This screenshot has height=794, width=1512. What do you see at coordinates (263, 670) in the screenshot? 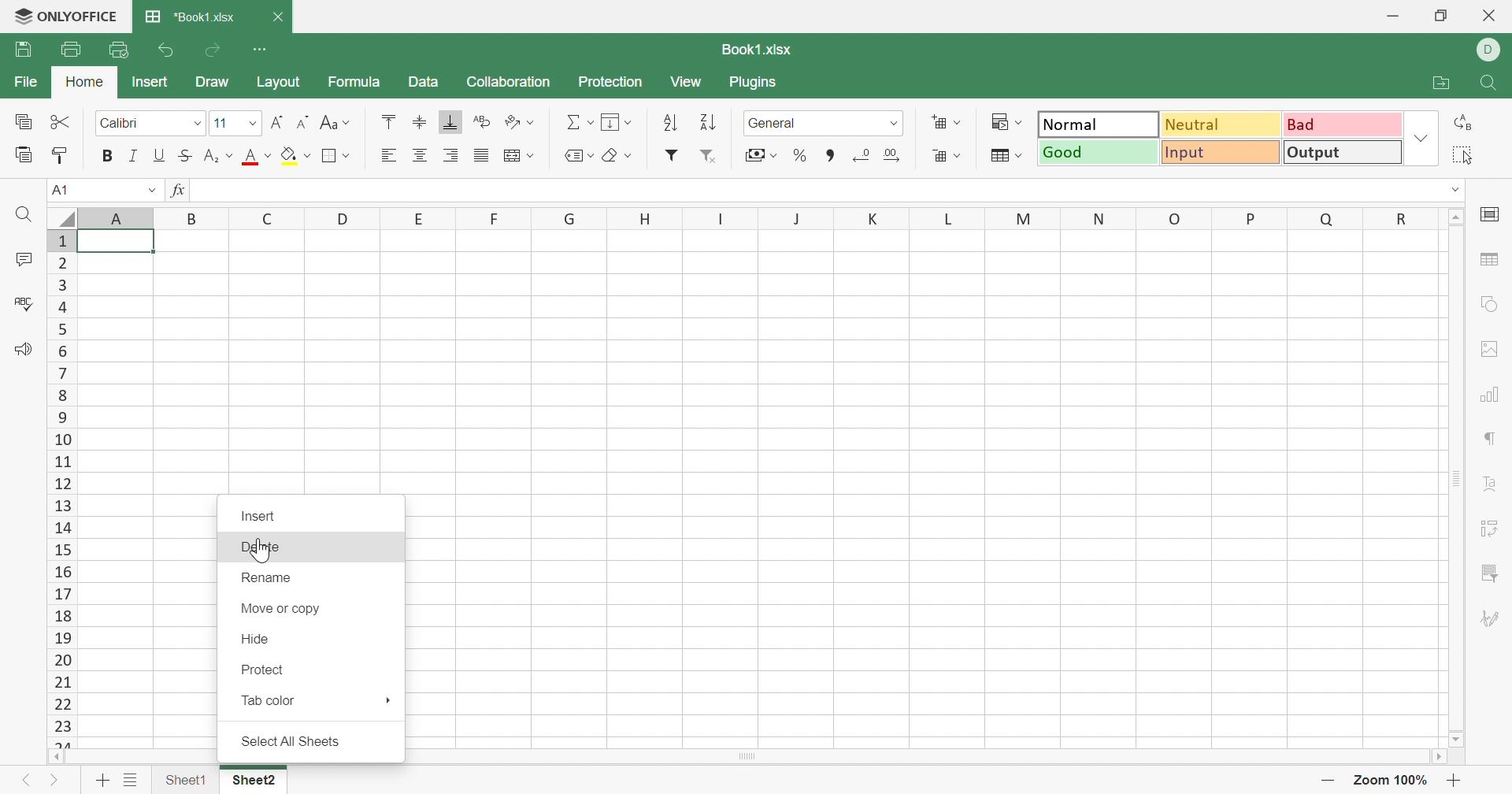
I see `Protect` at bounding box center [263, 670].